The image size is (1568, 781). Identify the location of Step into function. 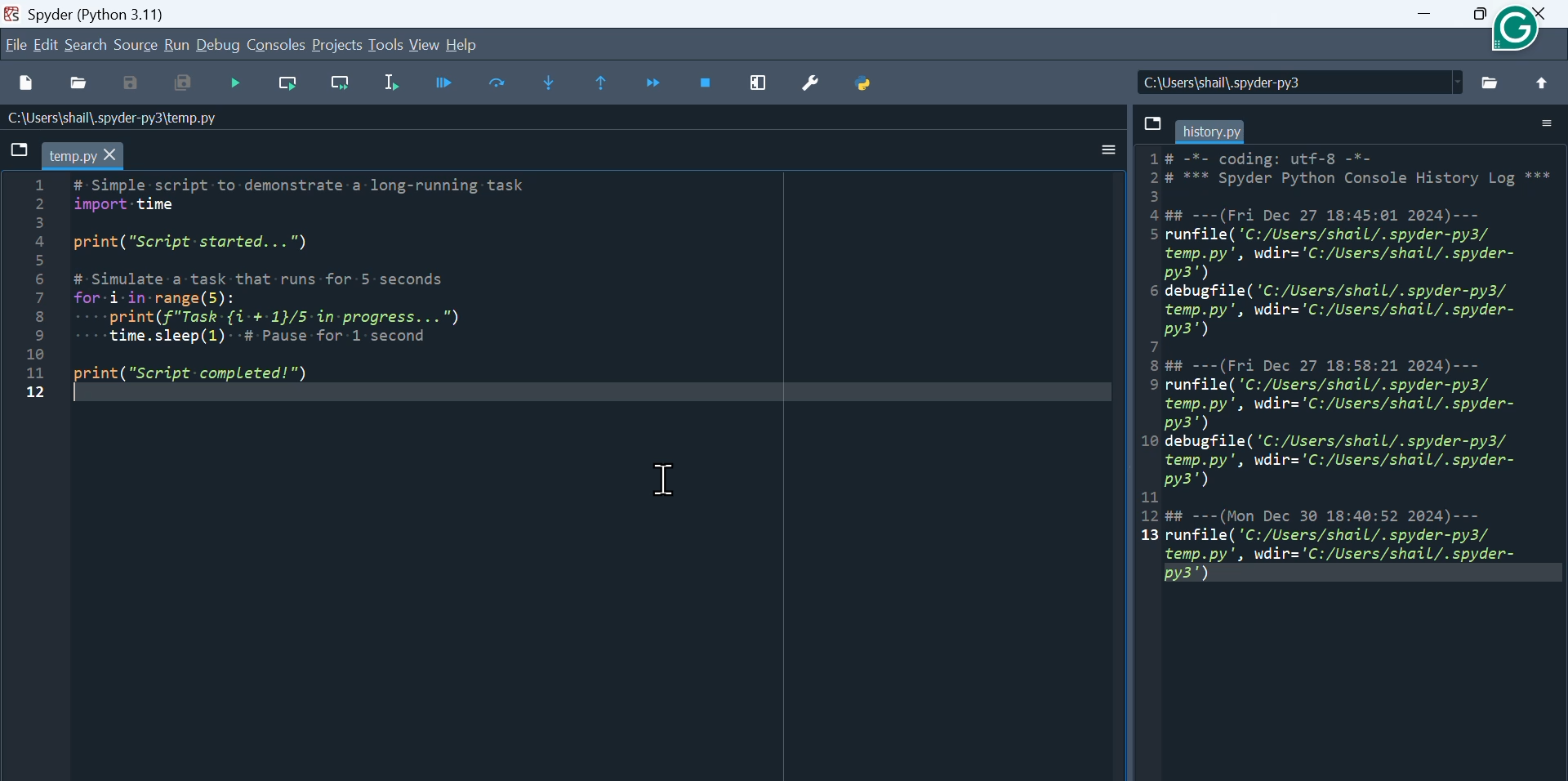
(550, 79).